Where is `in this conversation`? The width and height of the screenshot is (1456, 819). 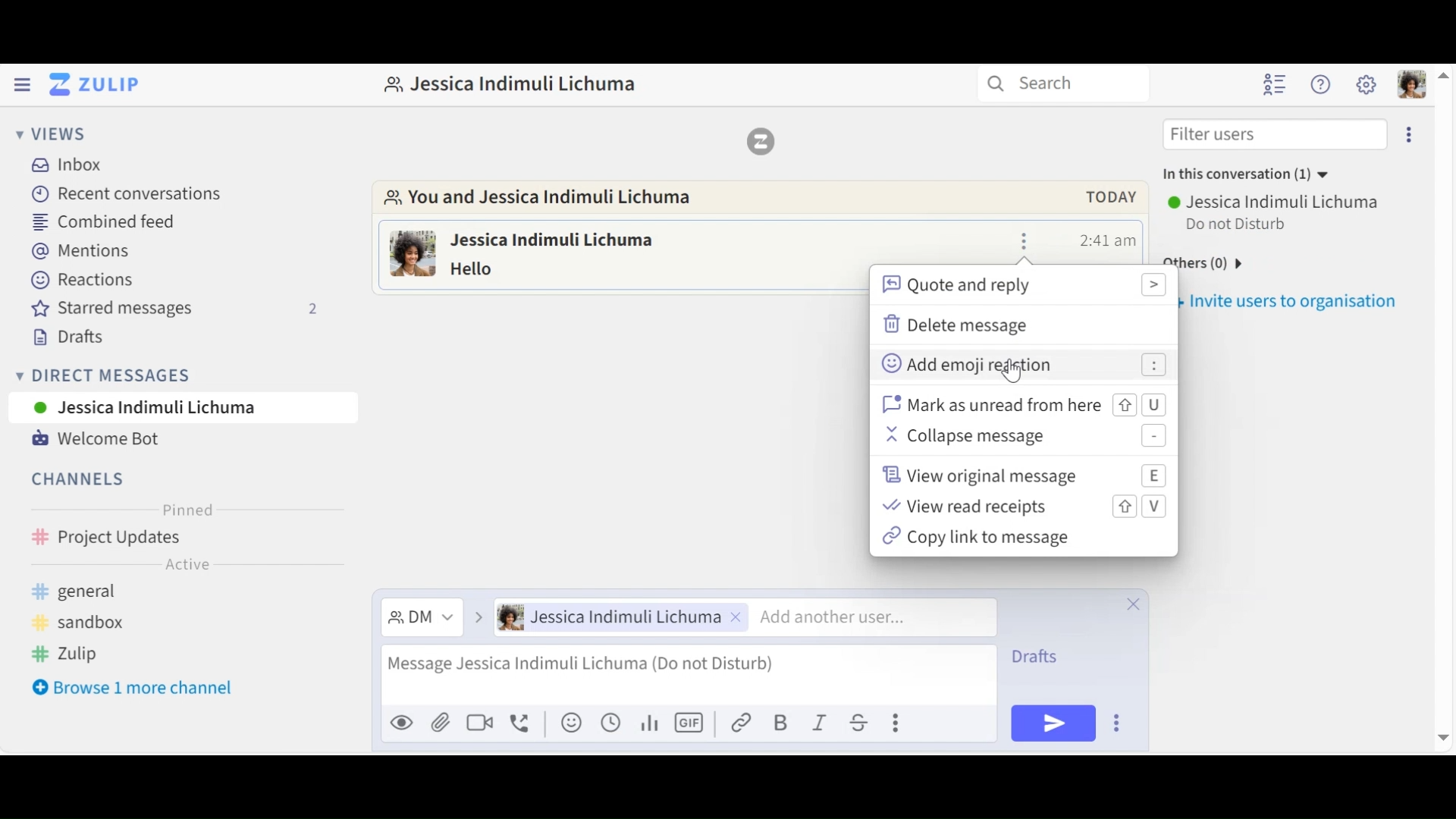 in this conversation is located at coordinates (1241, 177).